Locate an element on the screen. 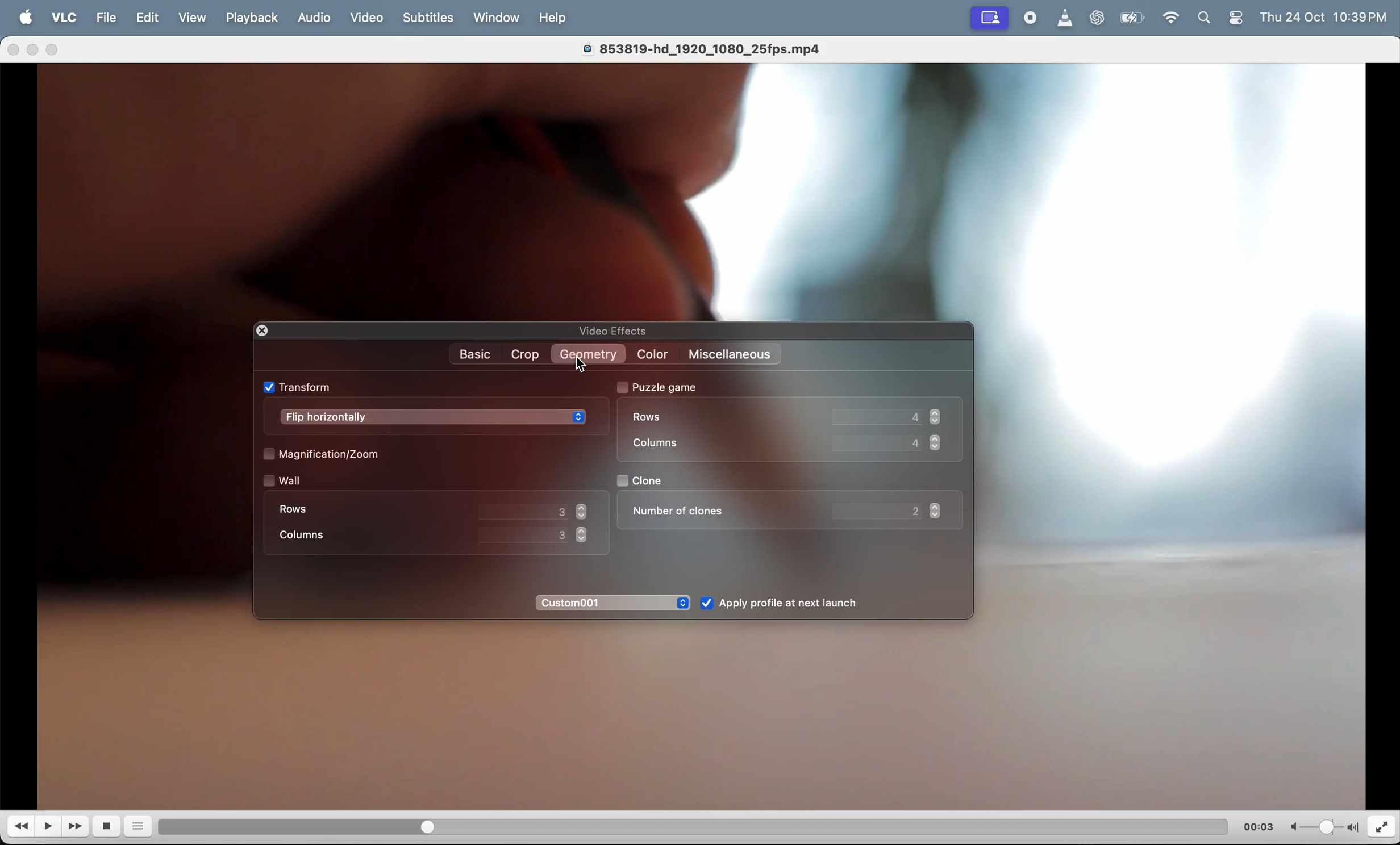 The image size is (1400, 845). value is located at coordinates (889, 512).